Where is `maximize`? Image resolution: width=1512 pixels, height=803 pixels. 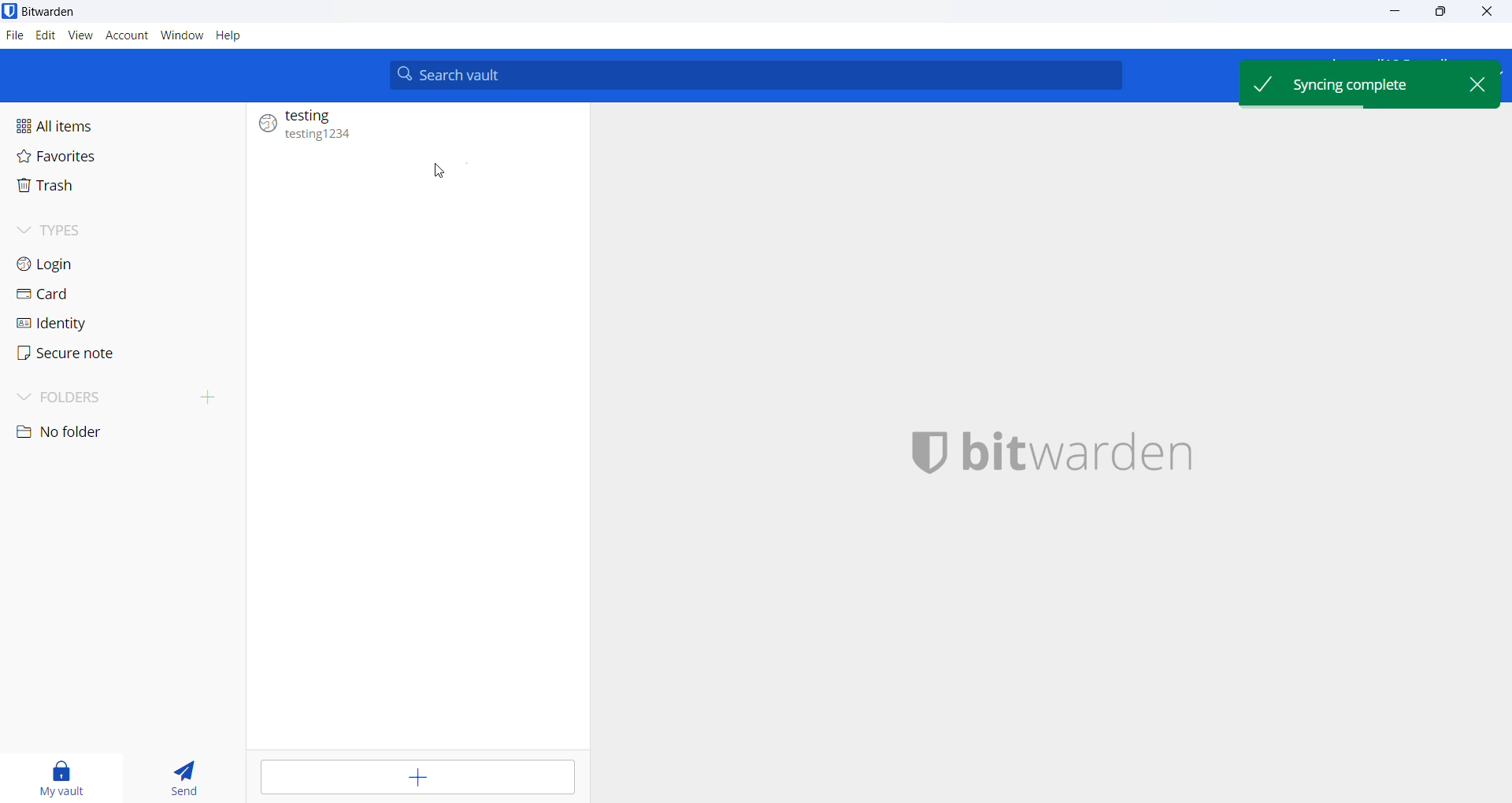 maximize is located at coordinates (1440, 13).